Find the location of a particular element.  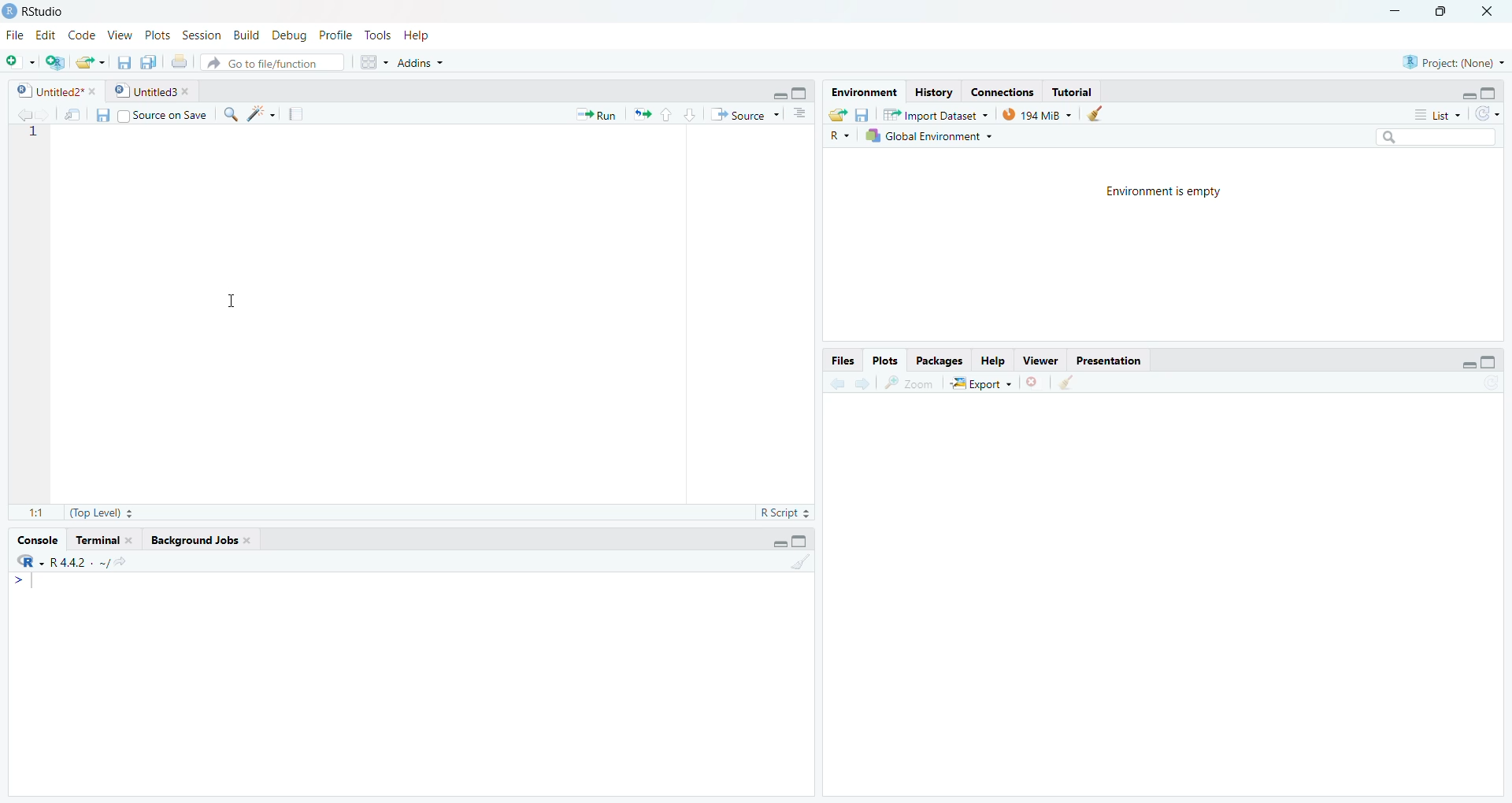

show in new window is located at coordinates (75, 115).